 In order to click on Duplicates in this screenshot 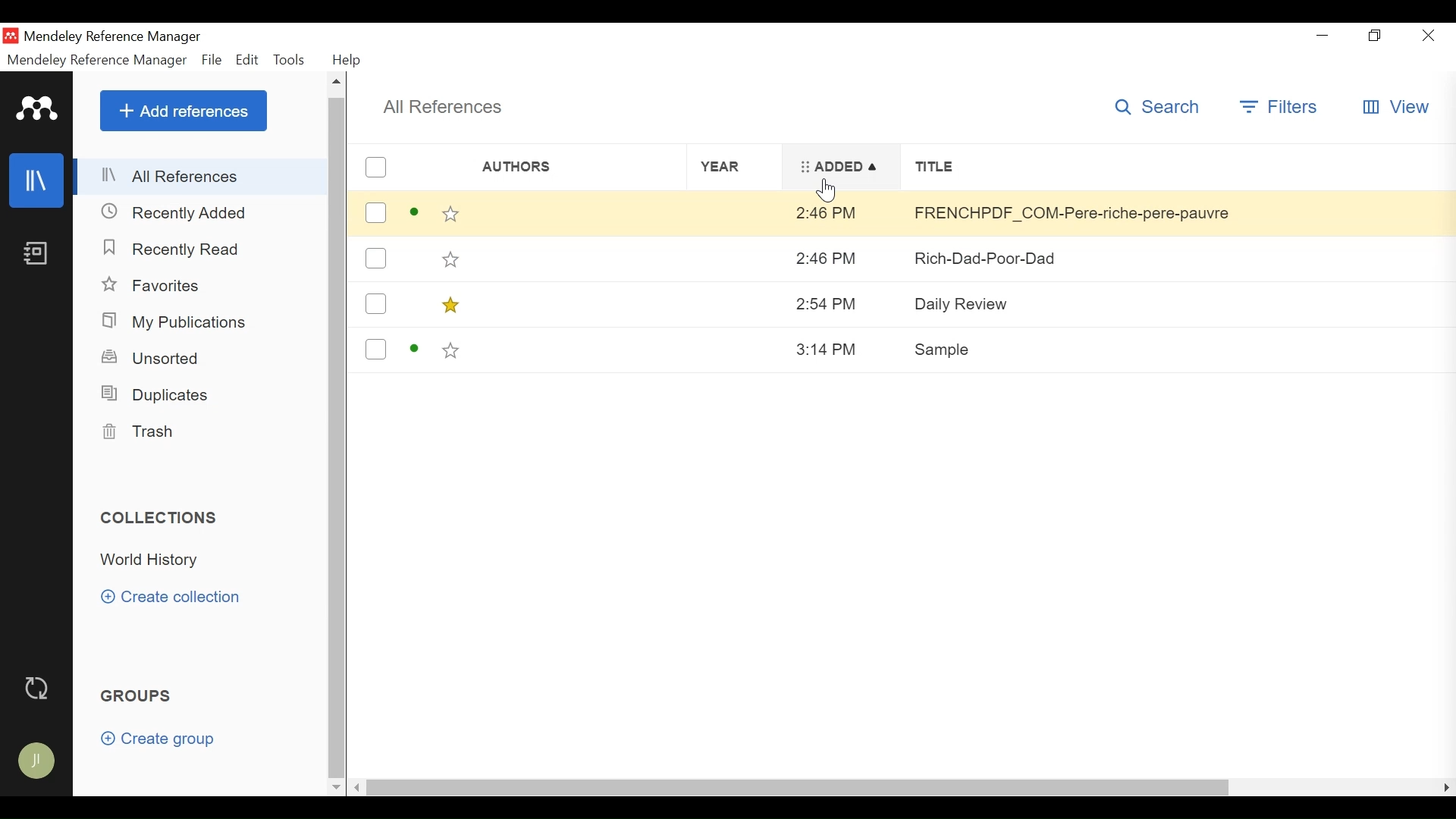, I will do `click(158, 394)`.